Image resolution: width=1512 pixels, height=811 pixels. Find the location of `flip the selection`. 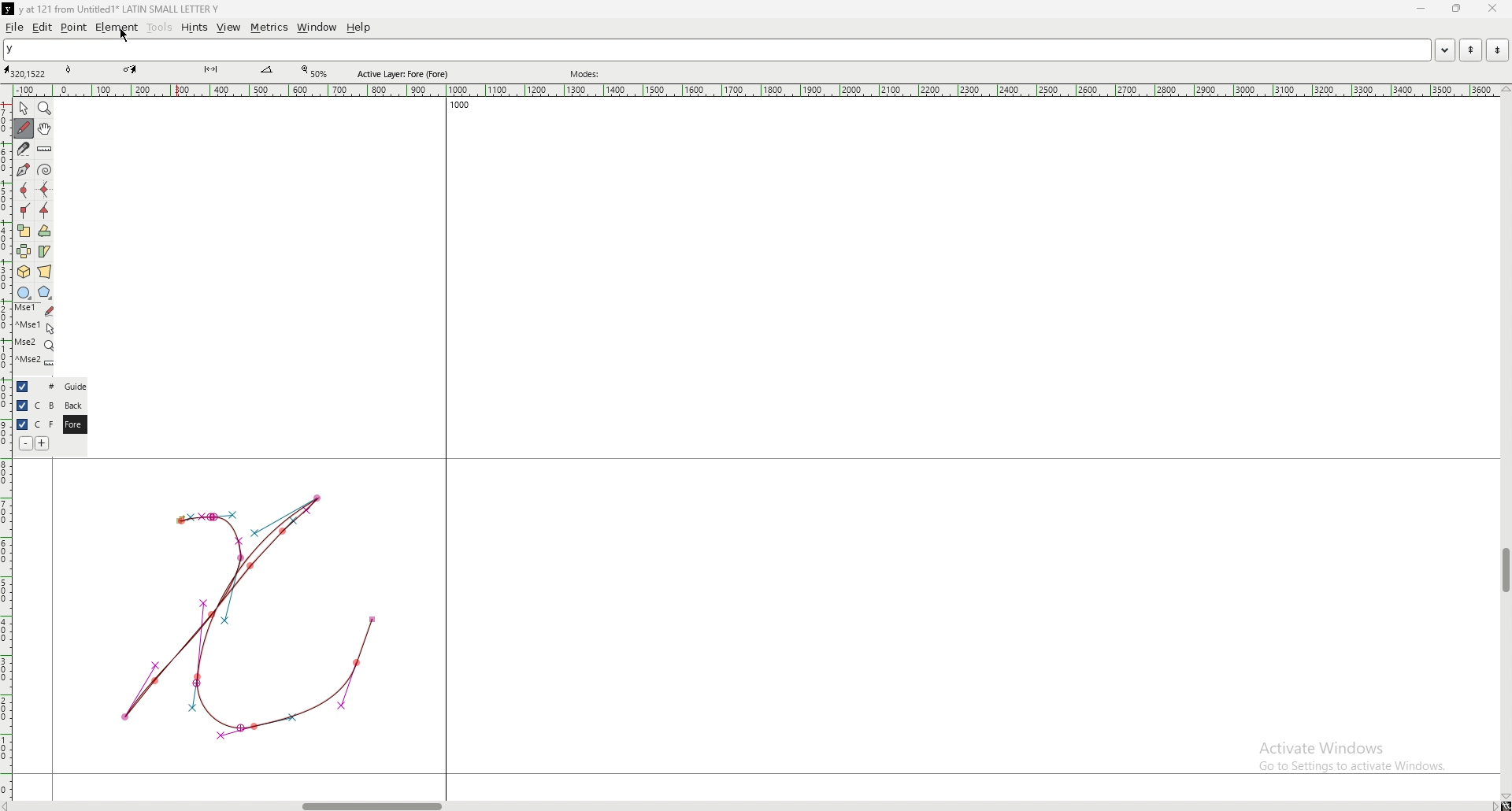

flip the selection is located at coordinates (24, 251).